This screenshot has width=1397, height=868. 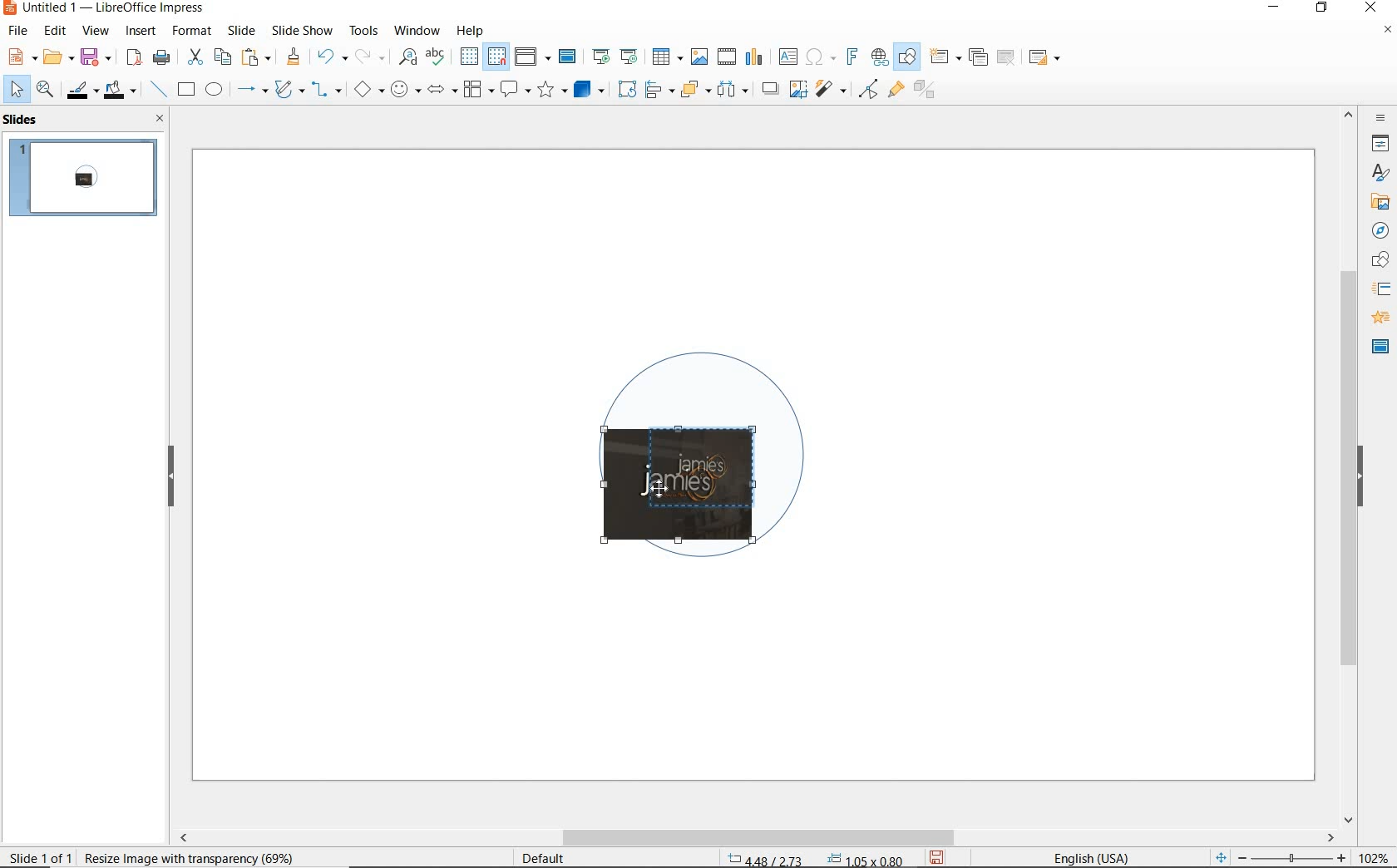 What do you see at coordinates (86, 180) in the screenshot?
I see `slide 1` at bounding box center [86, 180].